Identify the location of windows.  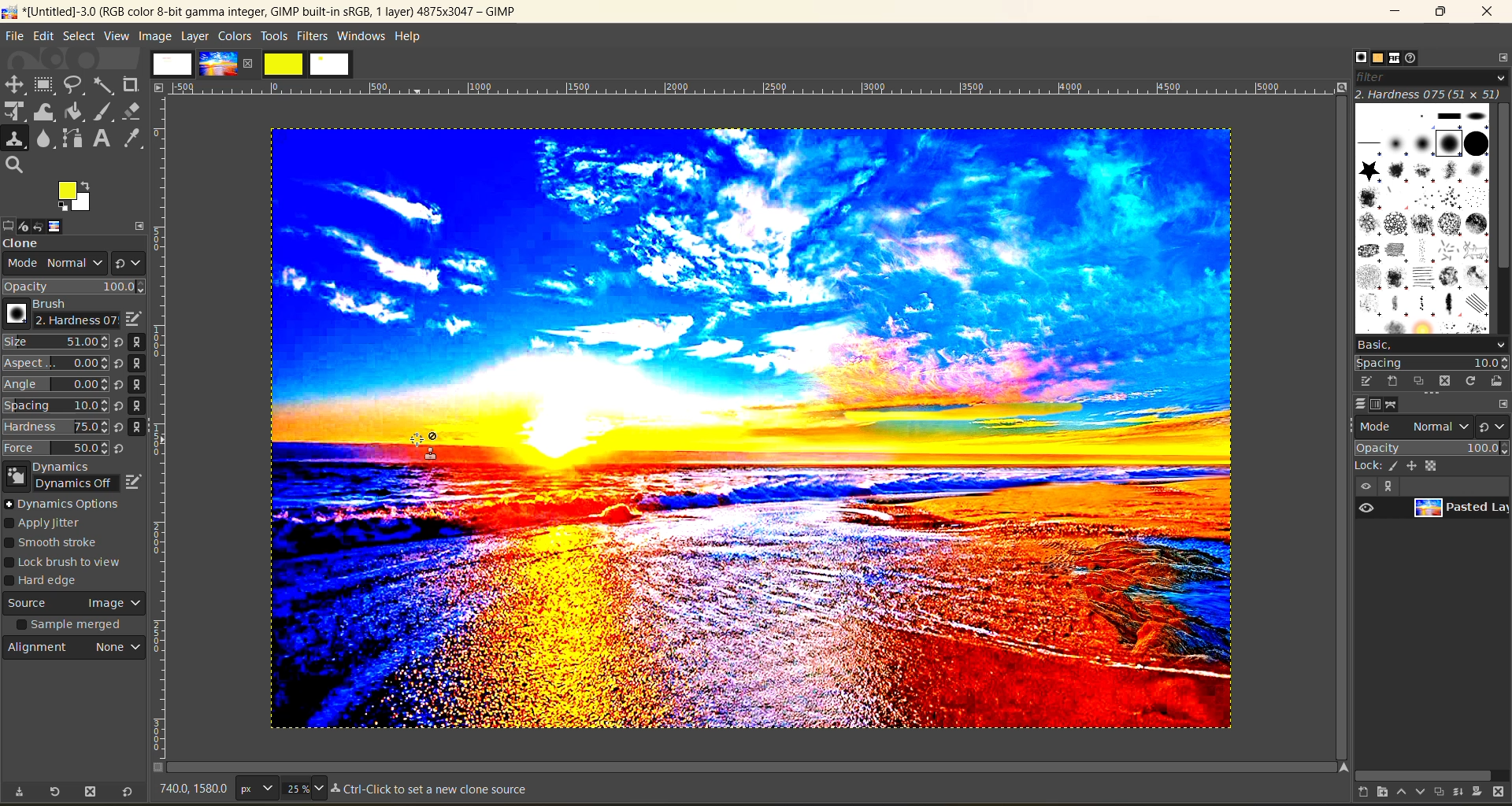
(362, 36).